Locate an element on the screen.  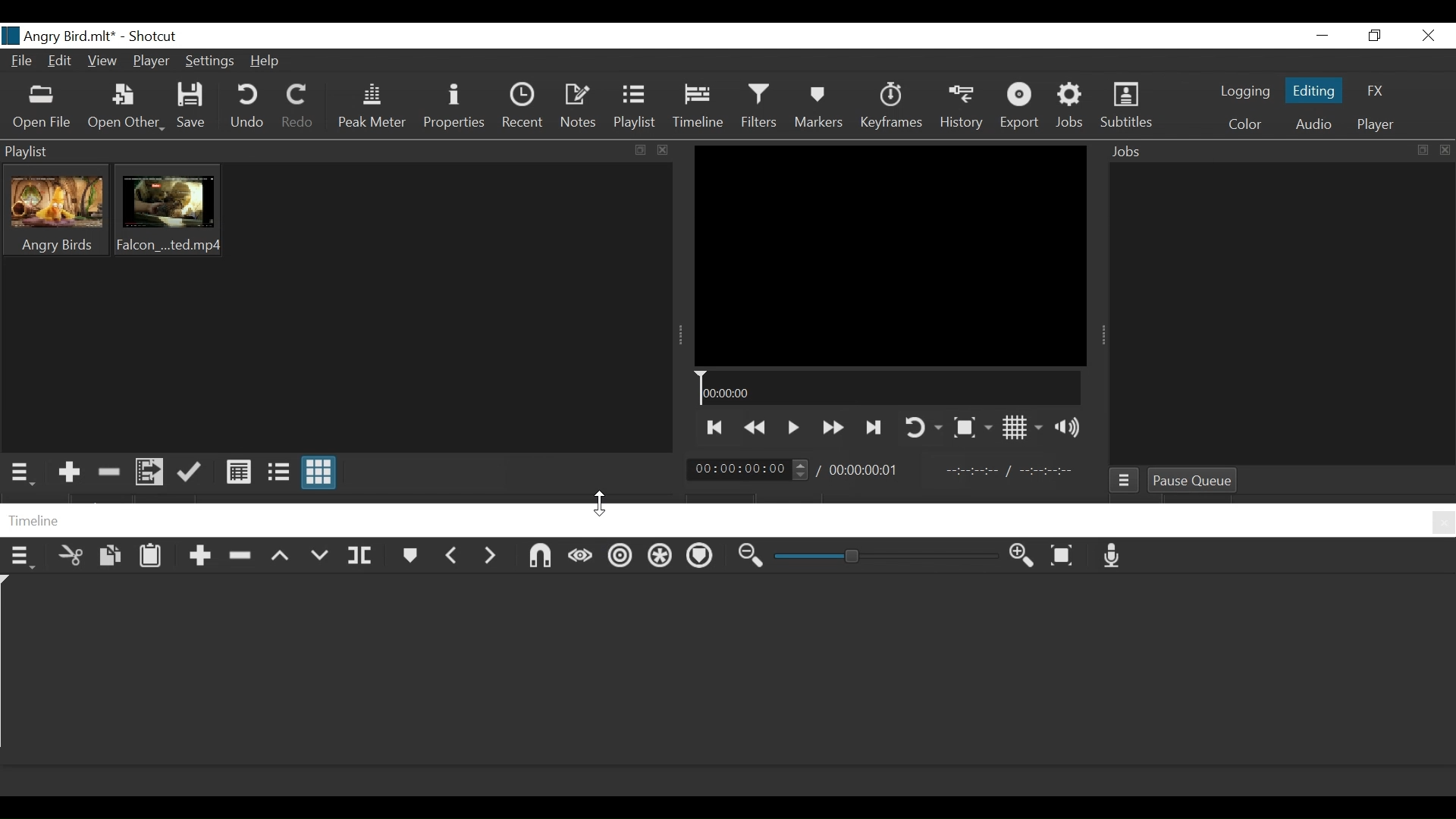
FX is located at coordinates (1373, 91).